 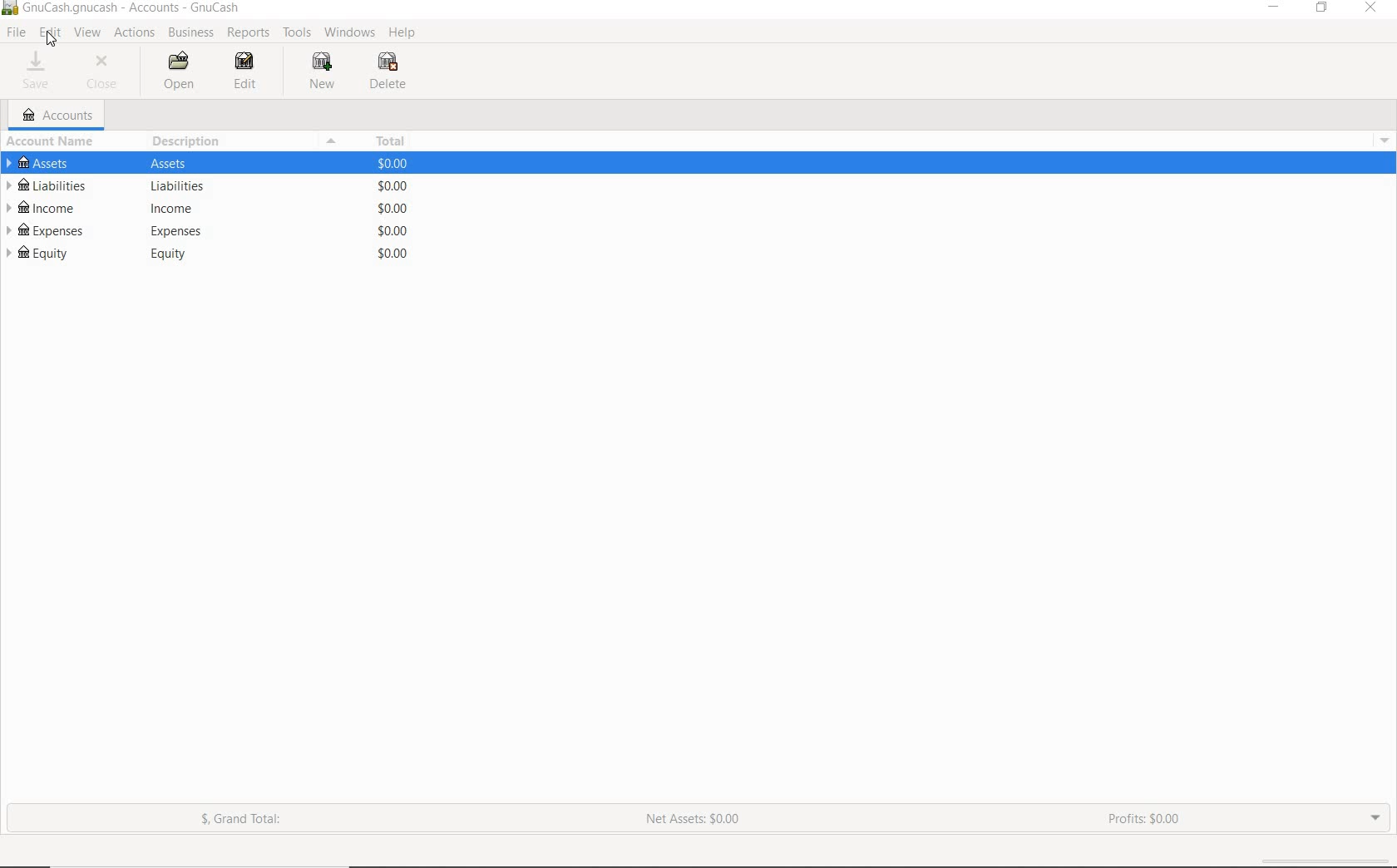 I want to click on DESCRIPTION, so click(x=189, y=141).